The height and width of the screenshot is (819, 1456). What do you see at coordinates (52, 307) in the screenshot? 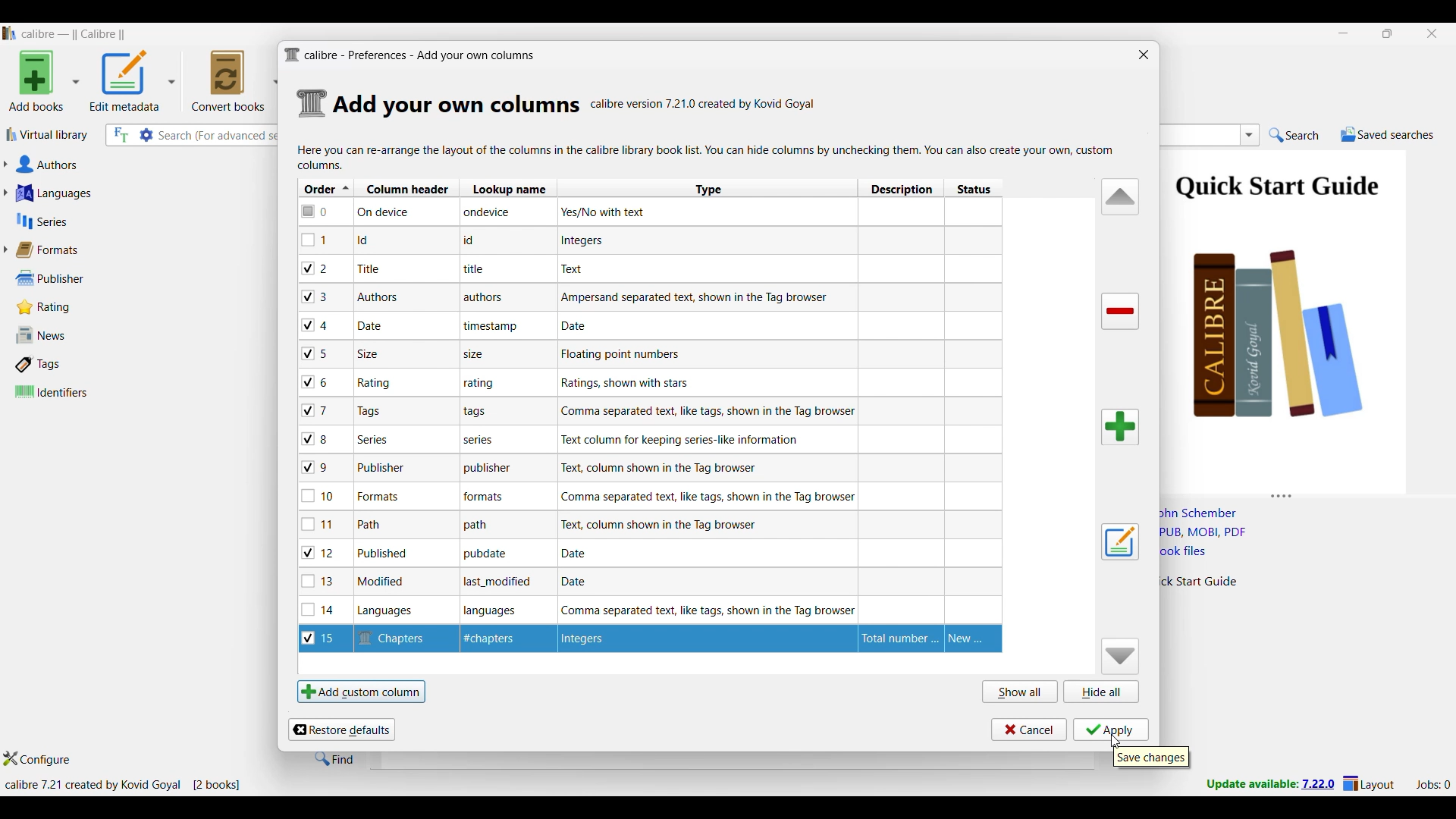
I see `Rating` at bounding box center [52, 307].